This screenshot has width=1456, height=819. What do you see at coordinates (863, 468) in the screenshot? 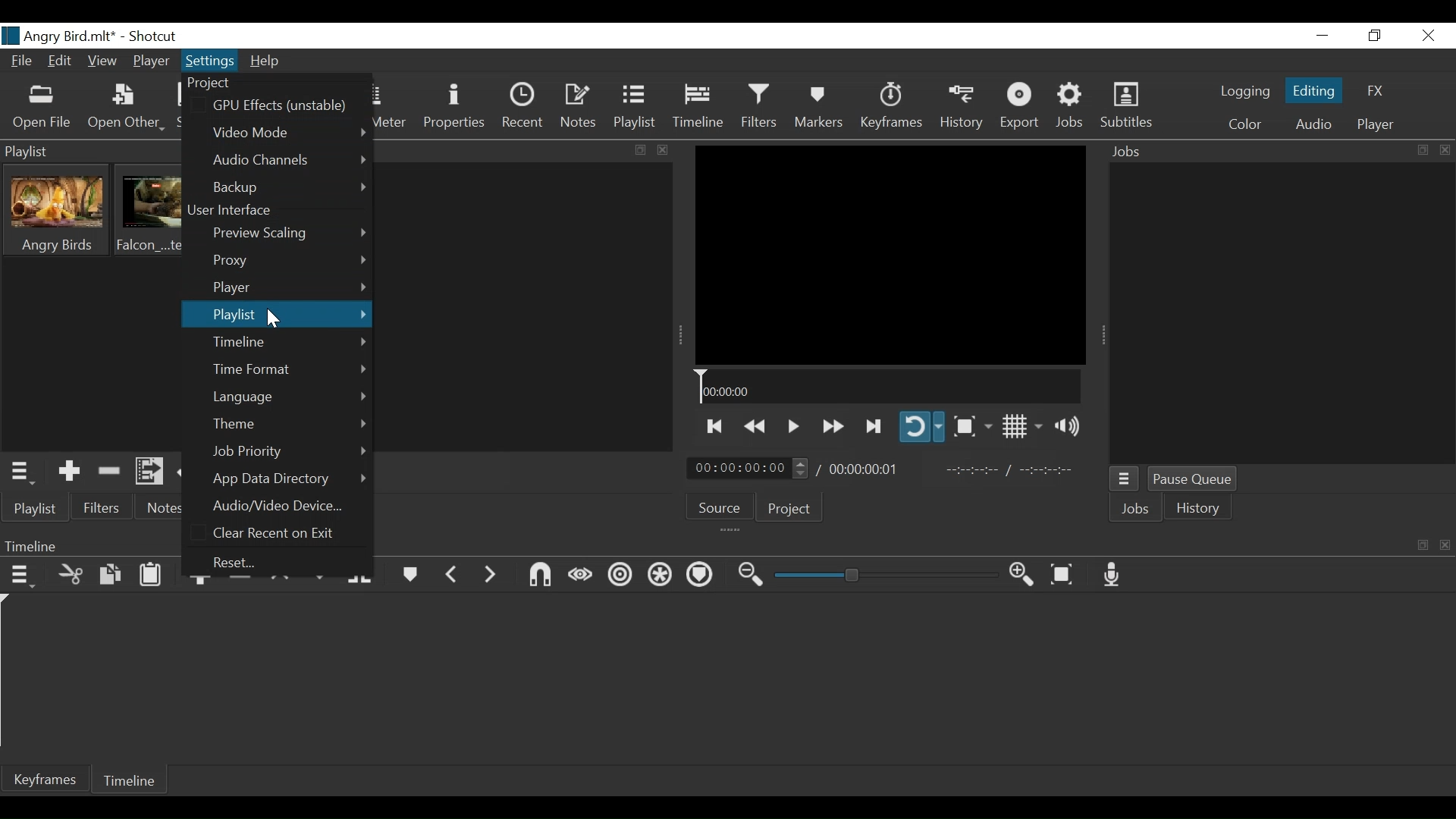
I see `Total Duration` at bounding box center [863, 468].